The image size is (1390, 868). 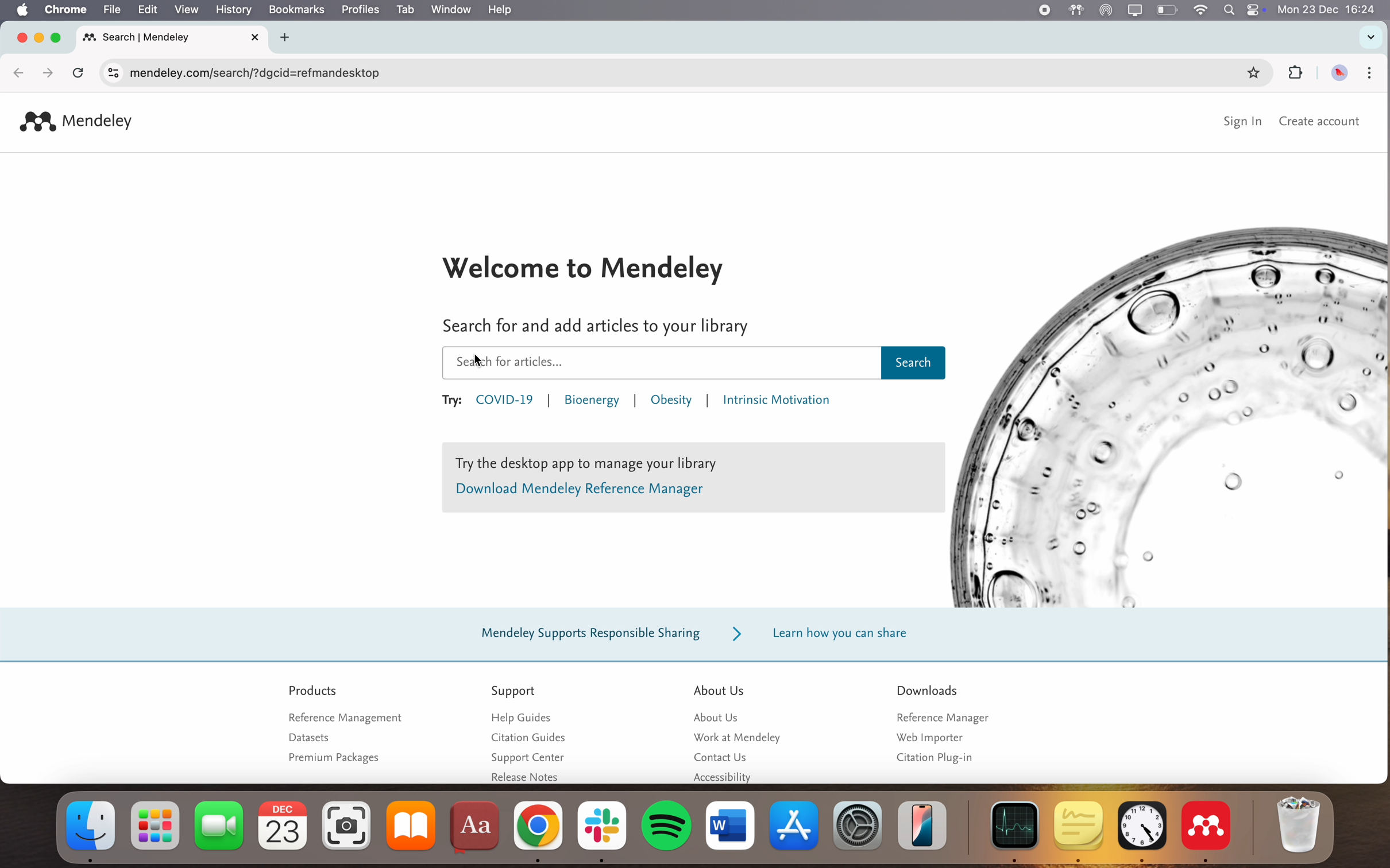 I want to click on iphone mirroring, so click(x=922, y=823).